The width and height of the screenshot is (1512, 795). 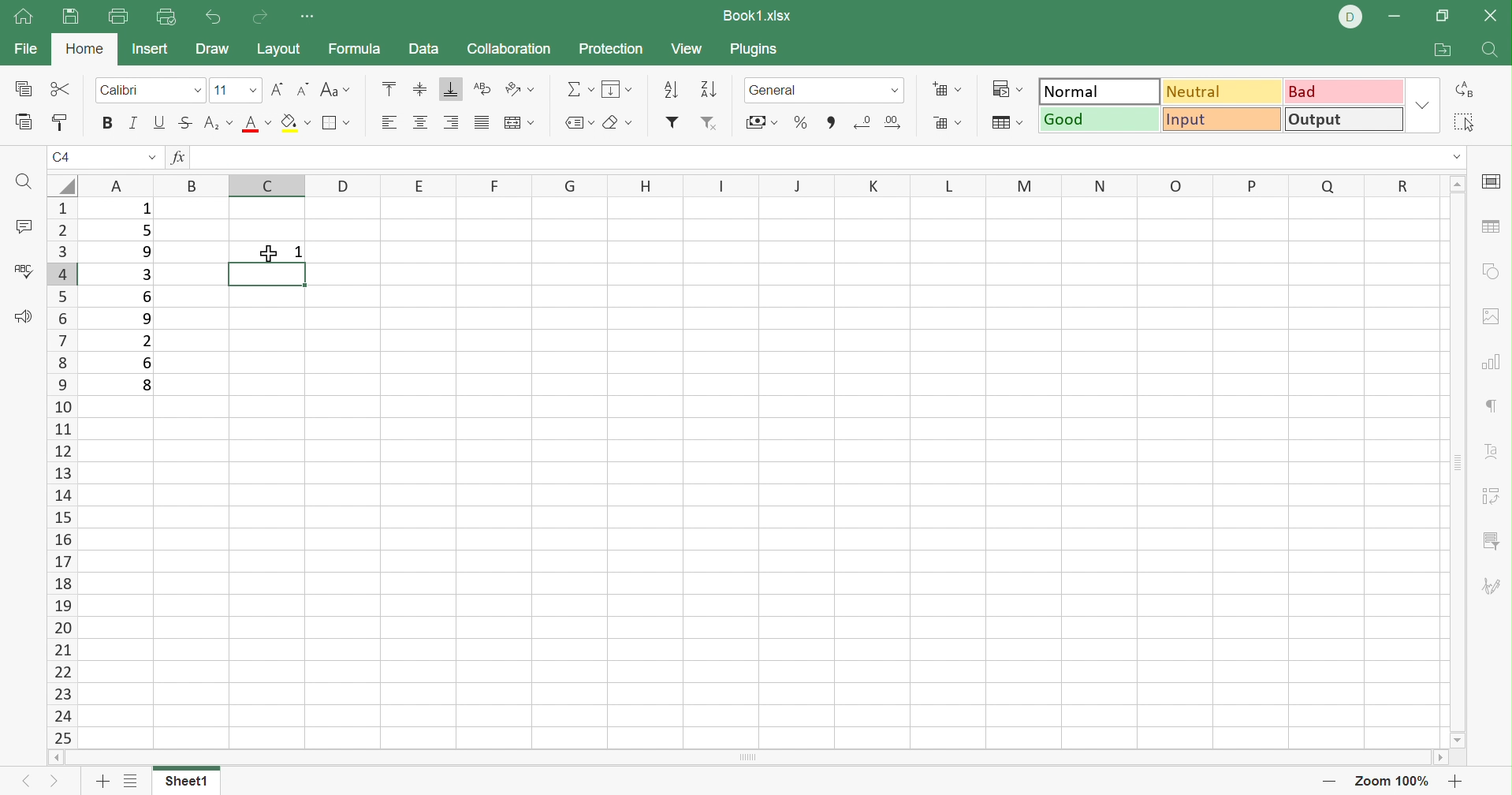 I want to click on Scroll Right, so click(x=1442, y=757).